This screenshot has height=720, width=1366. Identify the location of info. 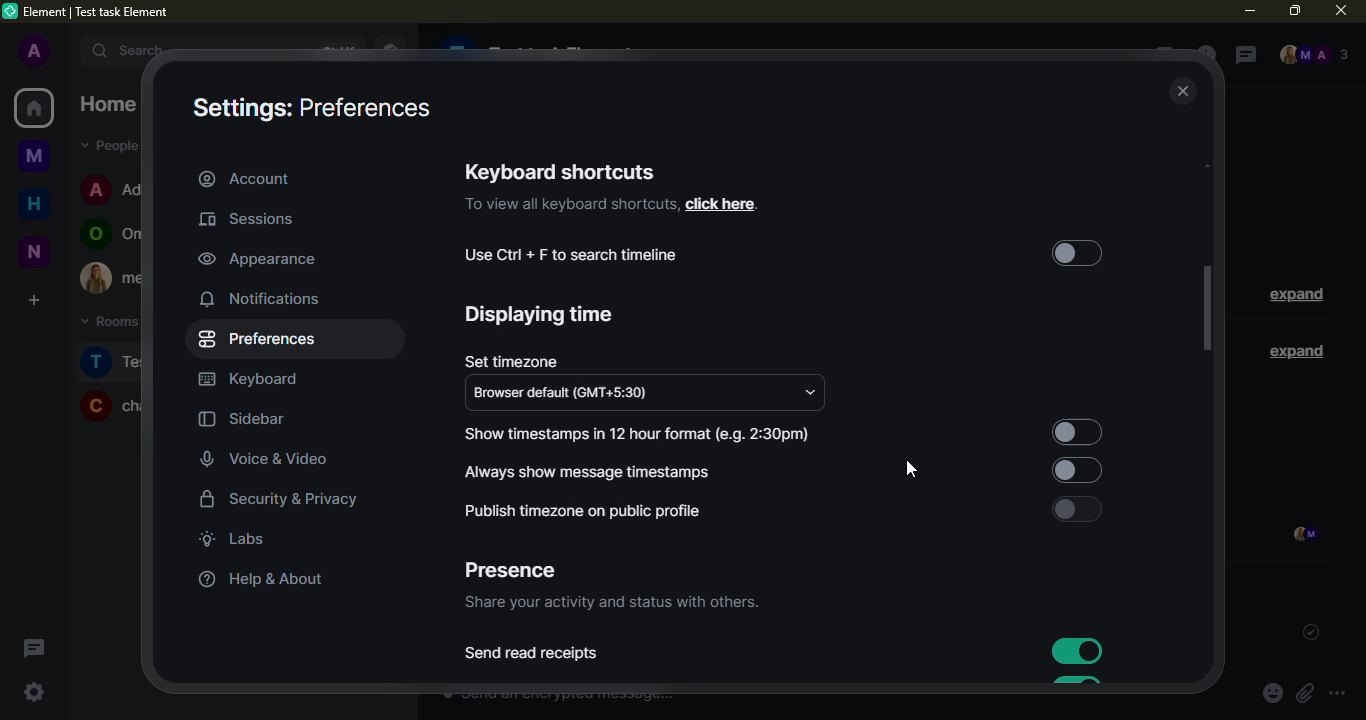
(570, 205).